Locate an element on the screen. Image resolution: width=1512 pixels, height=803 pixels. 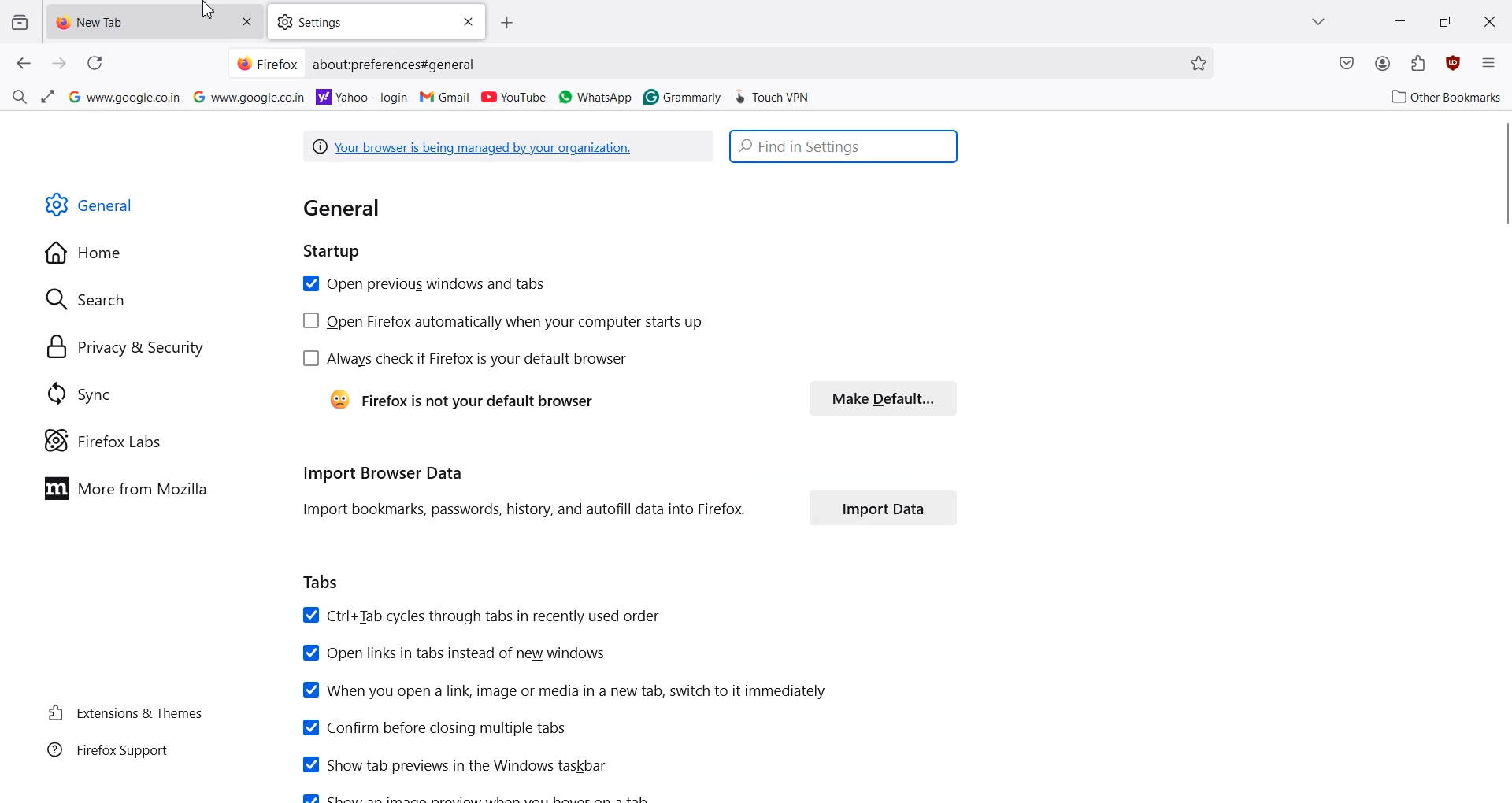
Show tab previews in the Windows taskbar is located at coordinates (453, 764).